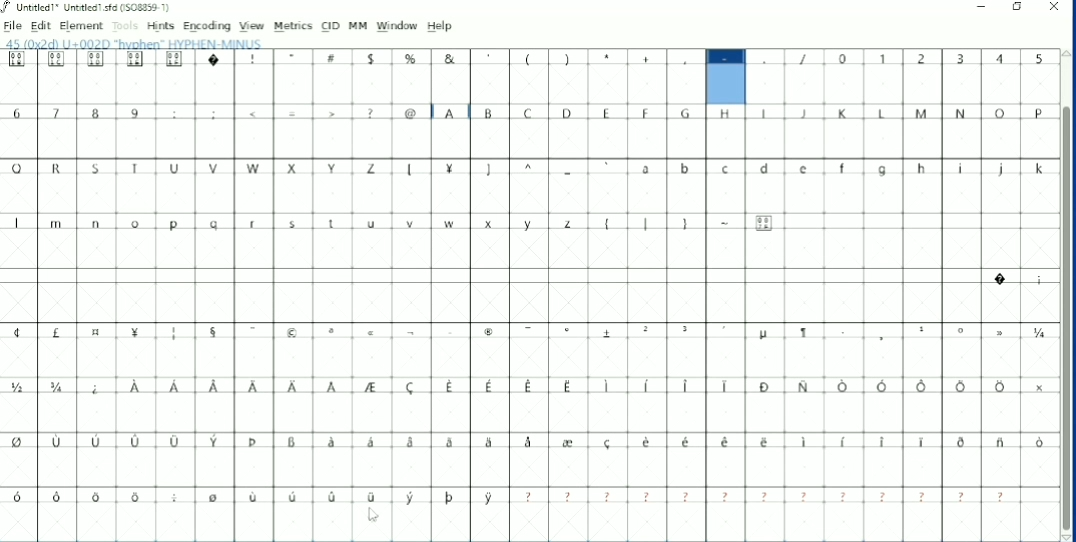  I want to click on Cursor, so click(375, 515).